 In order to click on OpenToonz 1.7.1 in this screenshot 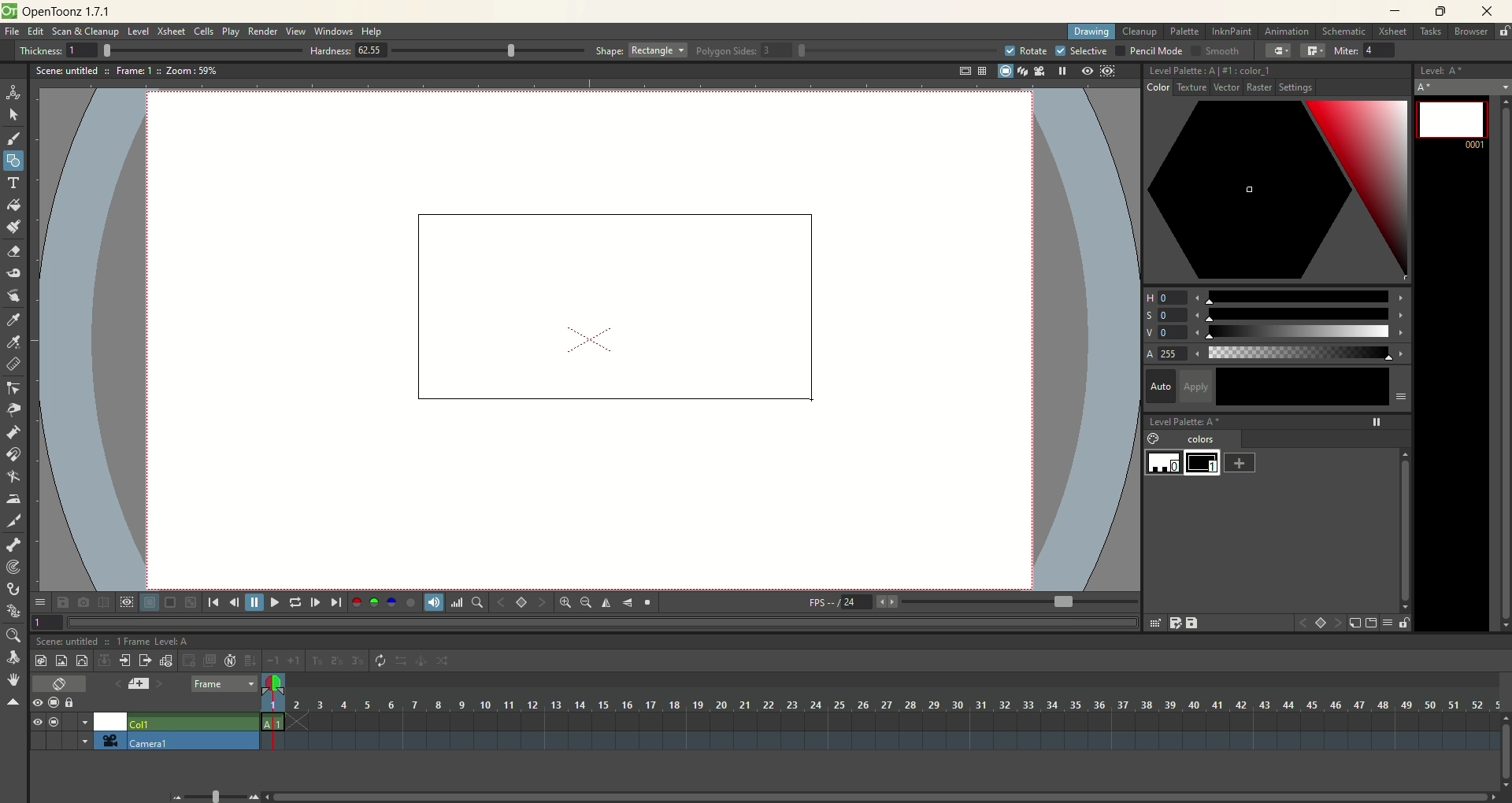, I will do `click(69, 13)`.